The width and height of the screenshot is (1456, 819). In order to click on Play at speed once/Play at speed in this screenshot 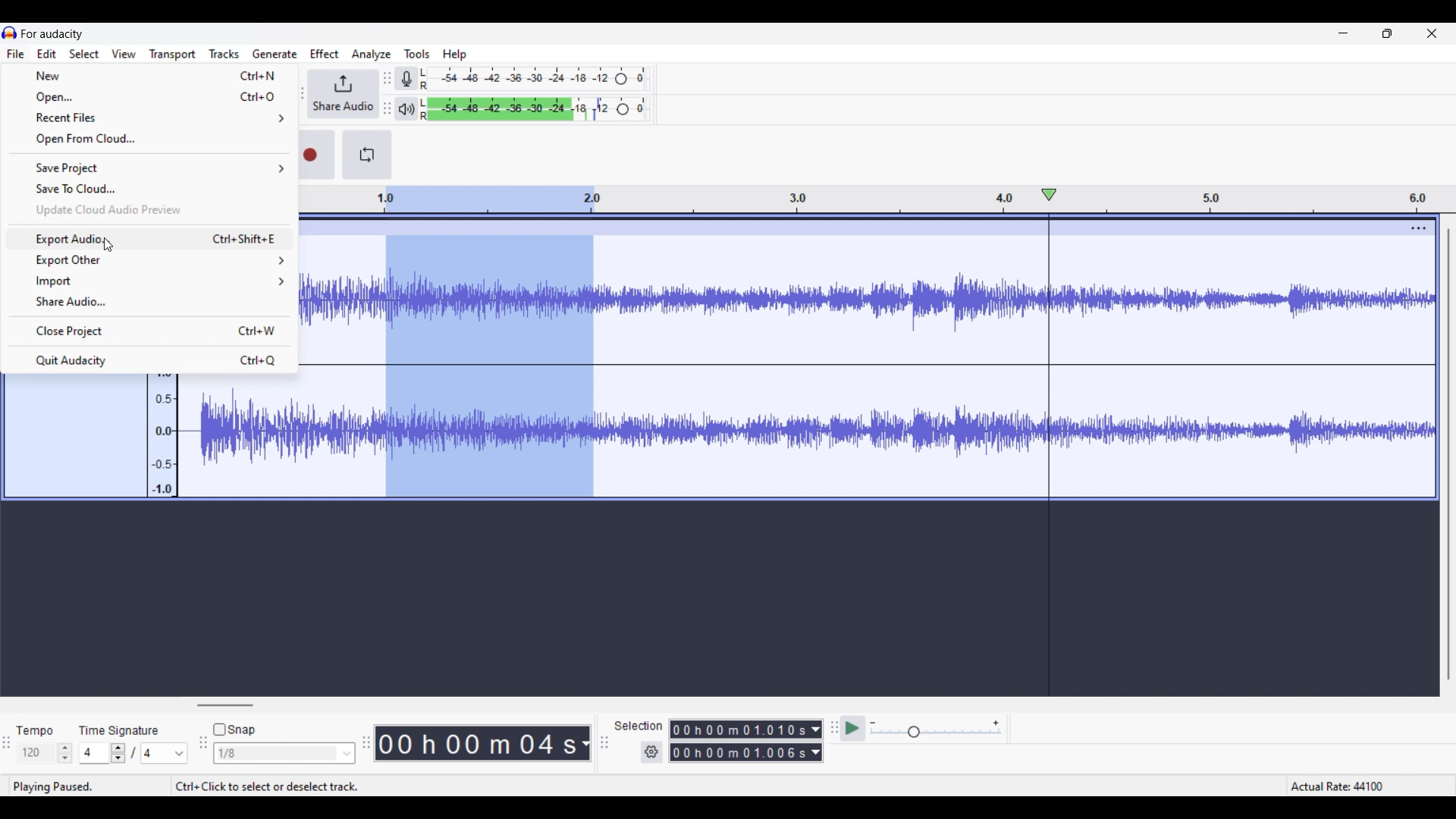, I will do `click(853, 729)`.